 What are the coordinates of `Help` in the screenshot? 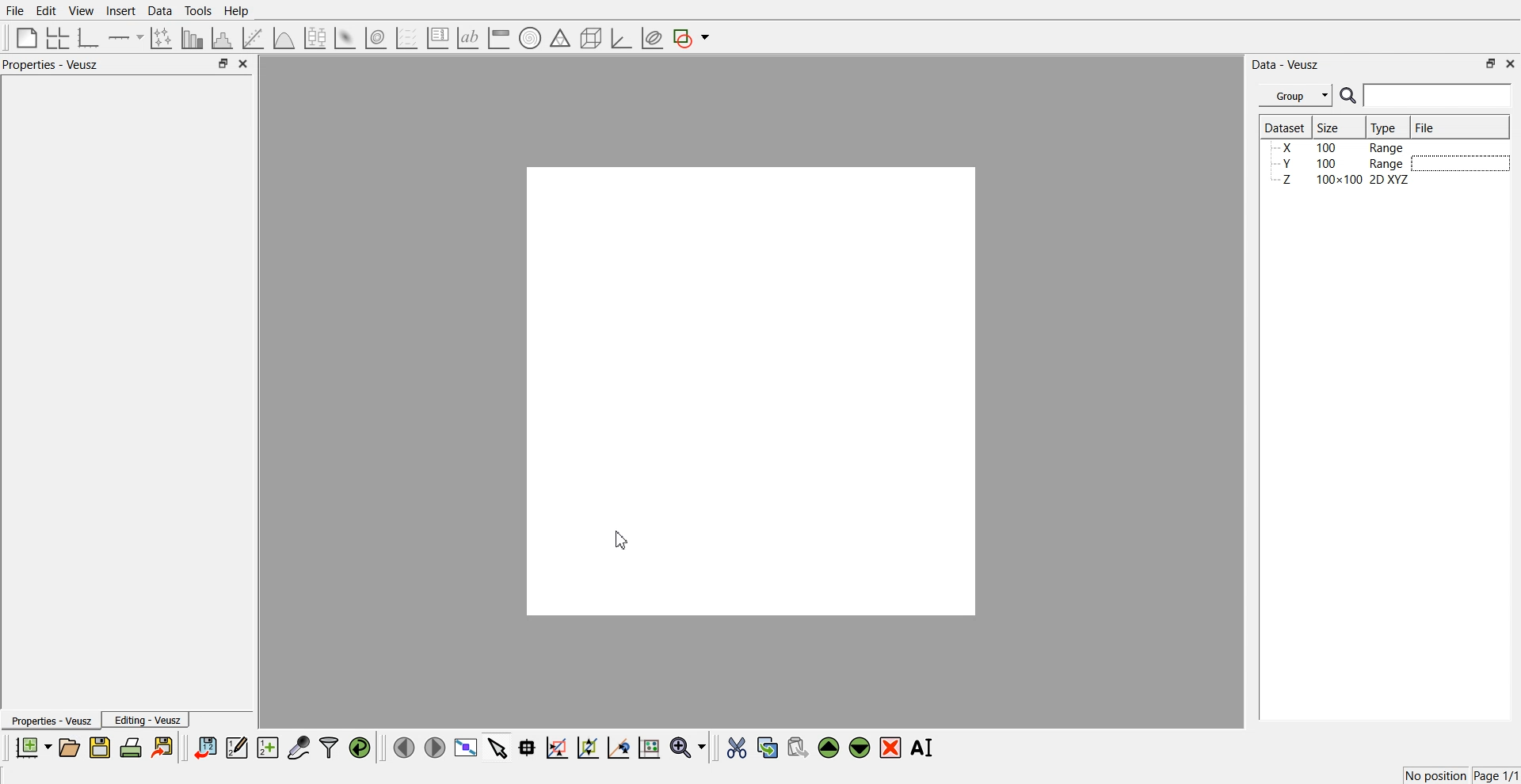 It's located at (237, 11).